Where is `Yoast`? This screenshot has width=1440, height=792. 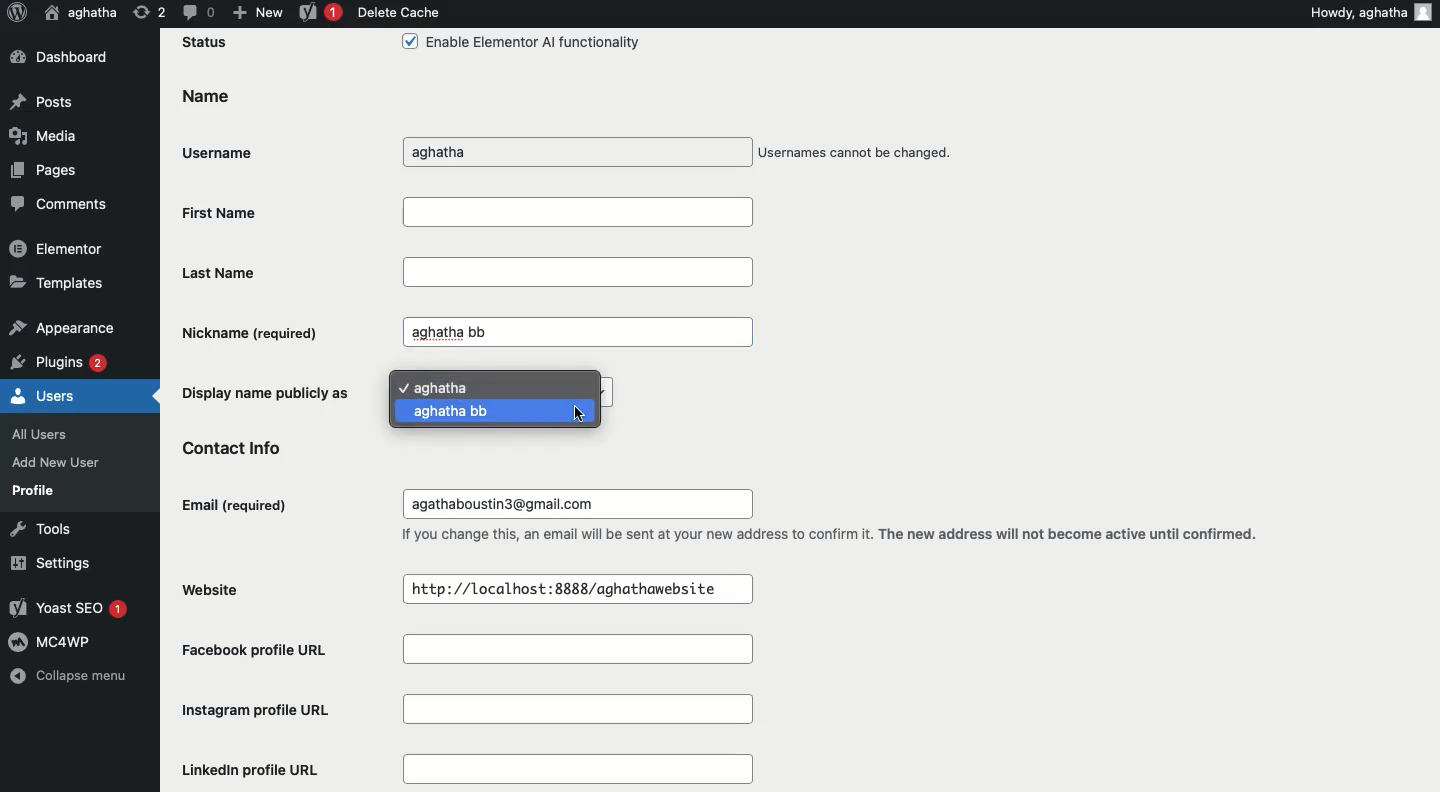
Yoast is located at coordinates (321, 14).